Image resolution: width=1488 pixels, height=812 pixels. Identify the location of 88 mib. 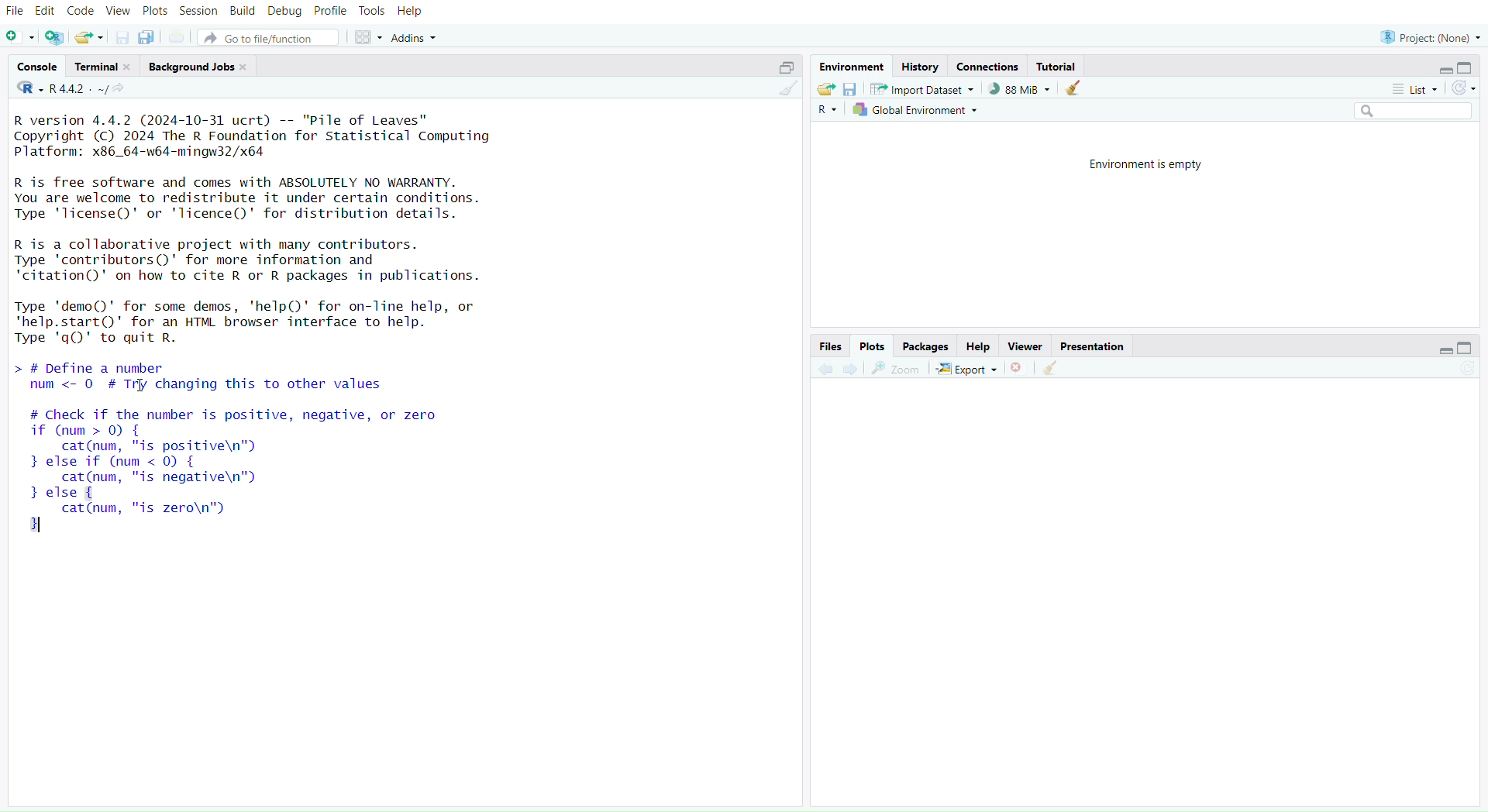
(1019, 89).